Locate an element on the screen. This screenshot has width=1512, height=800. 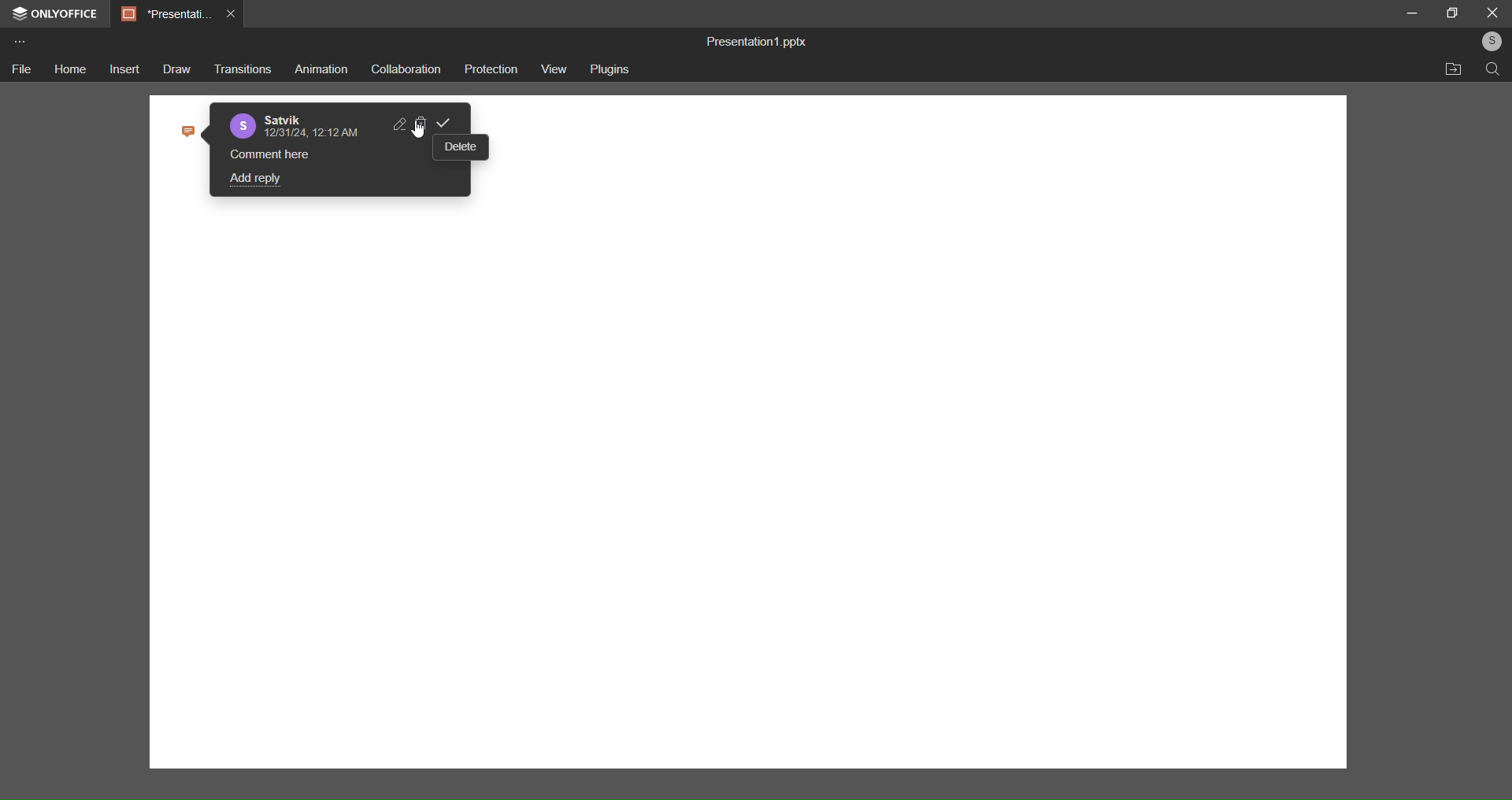
close is located at coordinates (1492, 13).